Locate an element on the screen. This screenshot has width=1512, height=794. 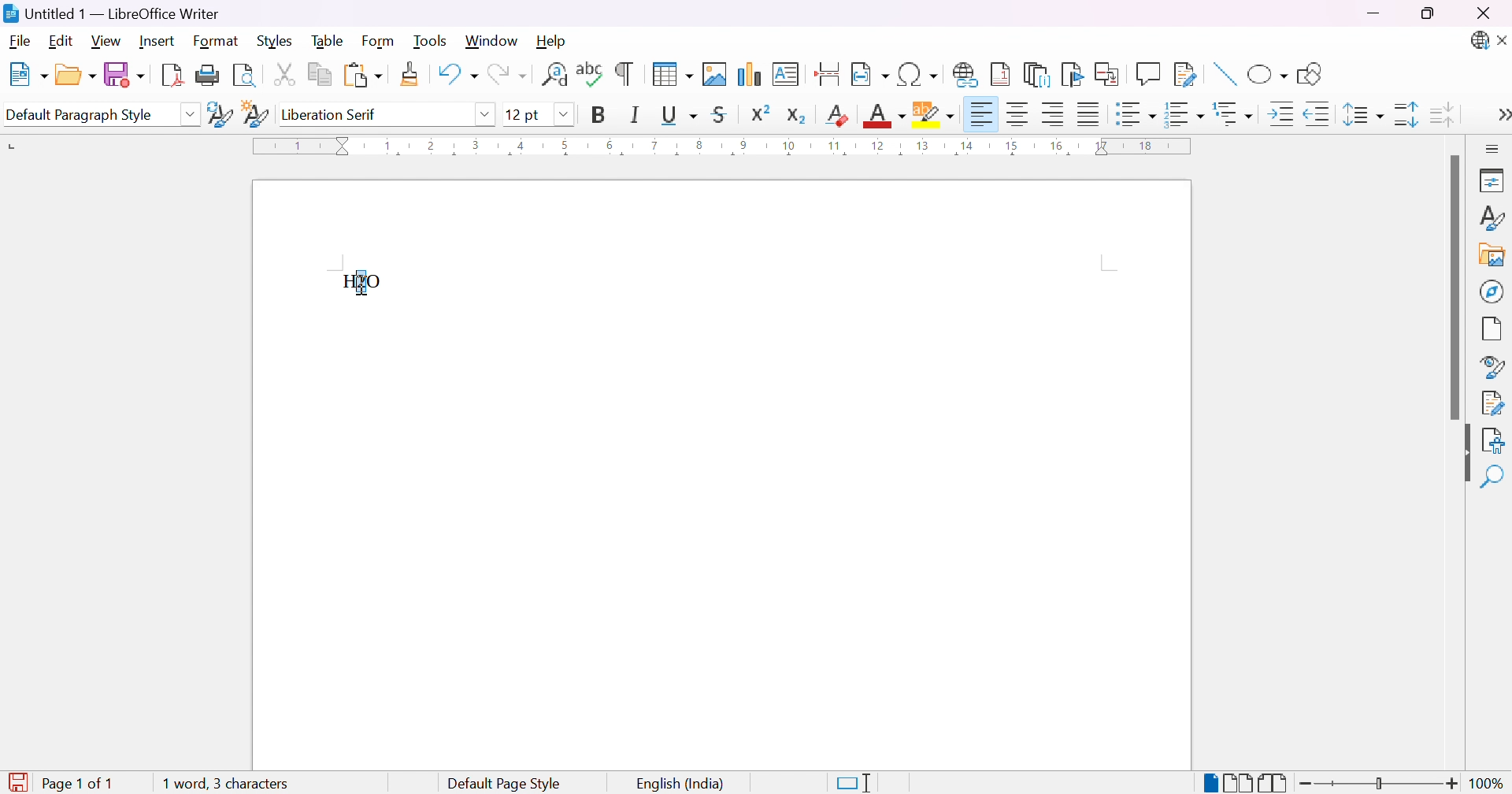
Window is located at coordinates (492, 42).